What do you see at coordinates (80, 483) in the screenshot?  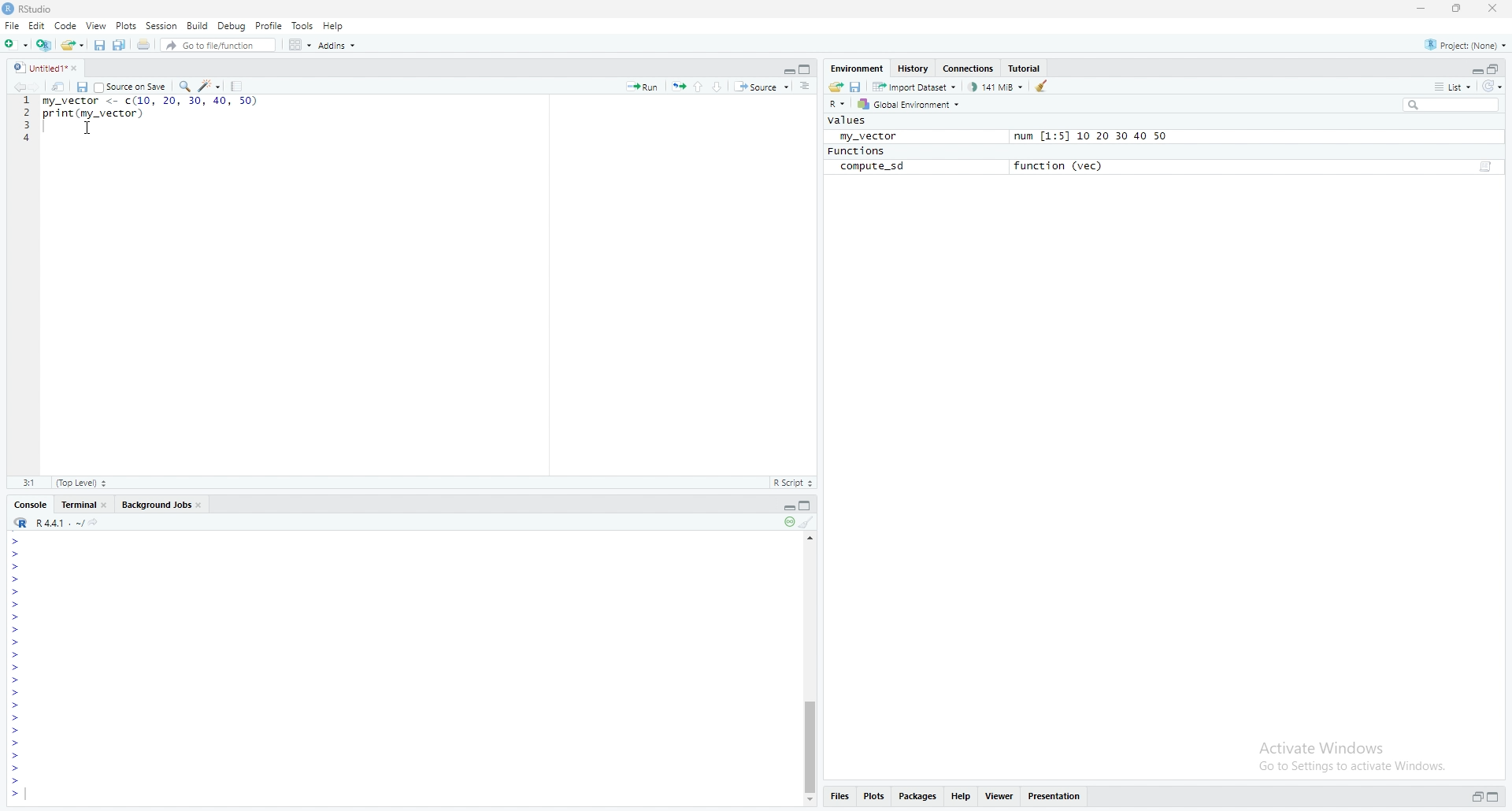 I see `(Top Level)` at bounding box center [80, 483].